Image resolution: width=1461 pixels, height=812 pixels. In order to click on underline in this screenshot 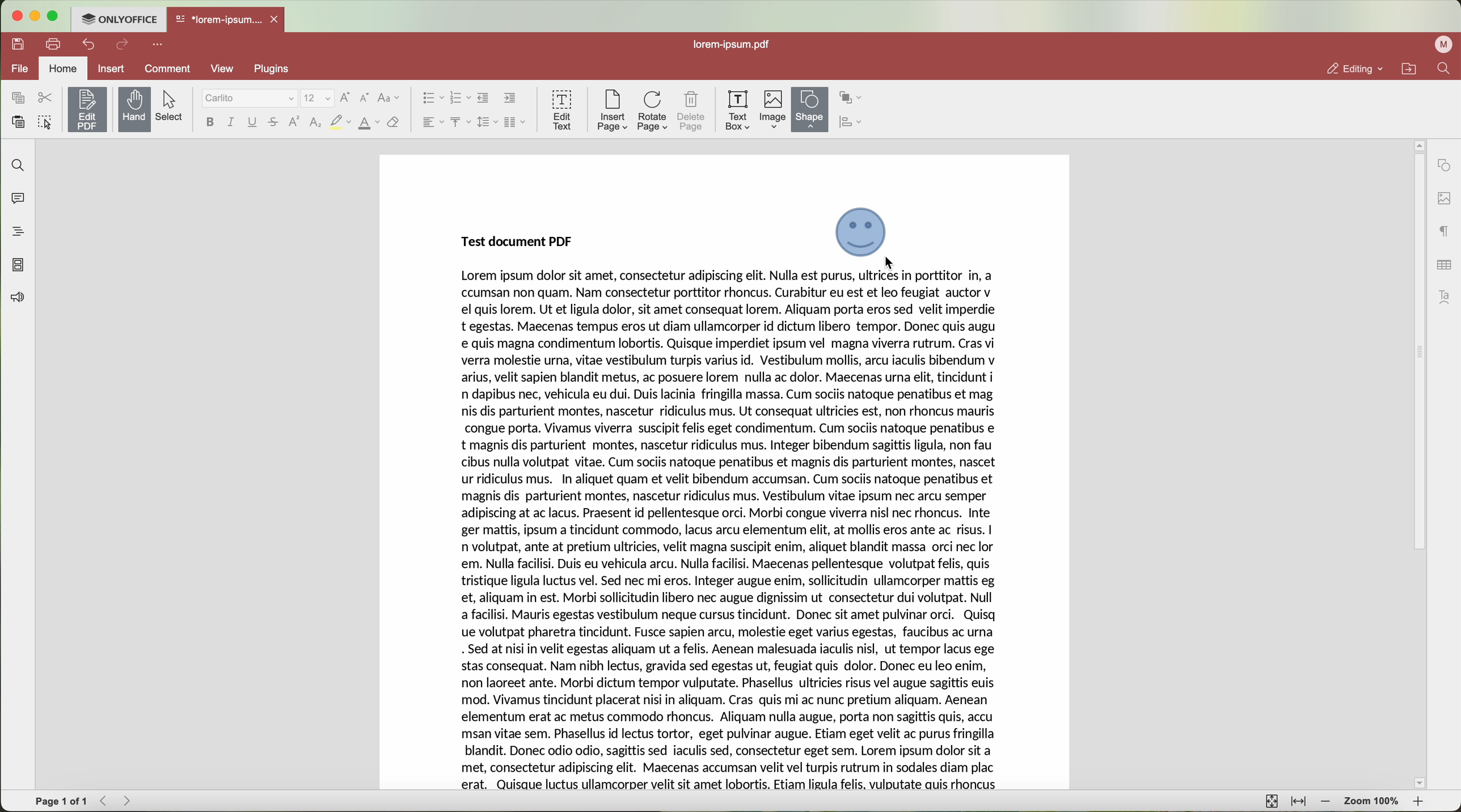, I will do `click(253, 122)`.